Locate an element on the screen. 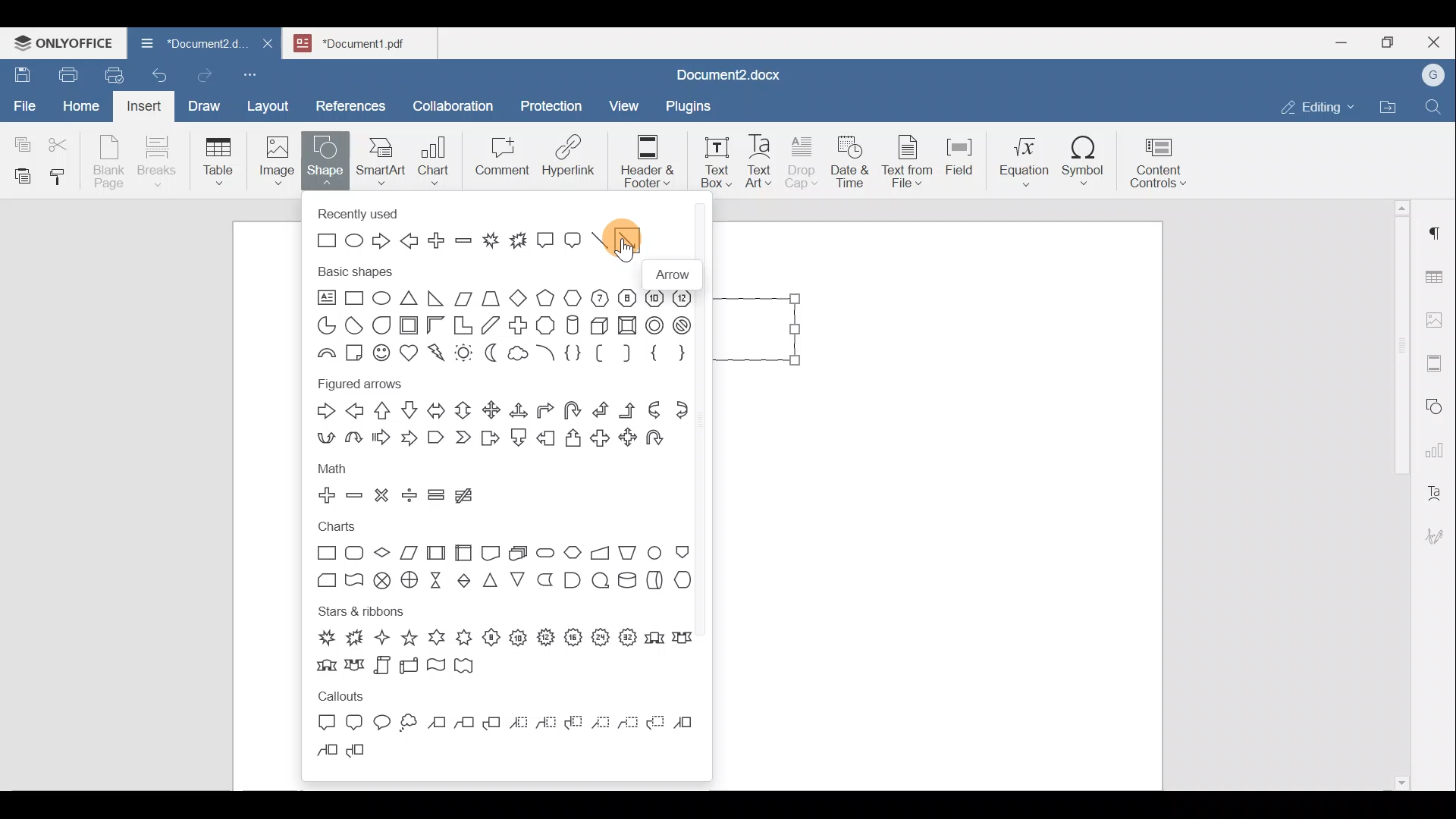 This screenshot has width=1456, height=819. Charts is located at coordinates (500, 560).